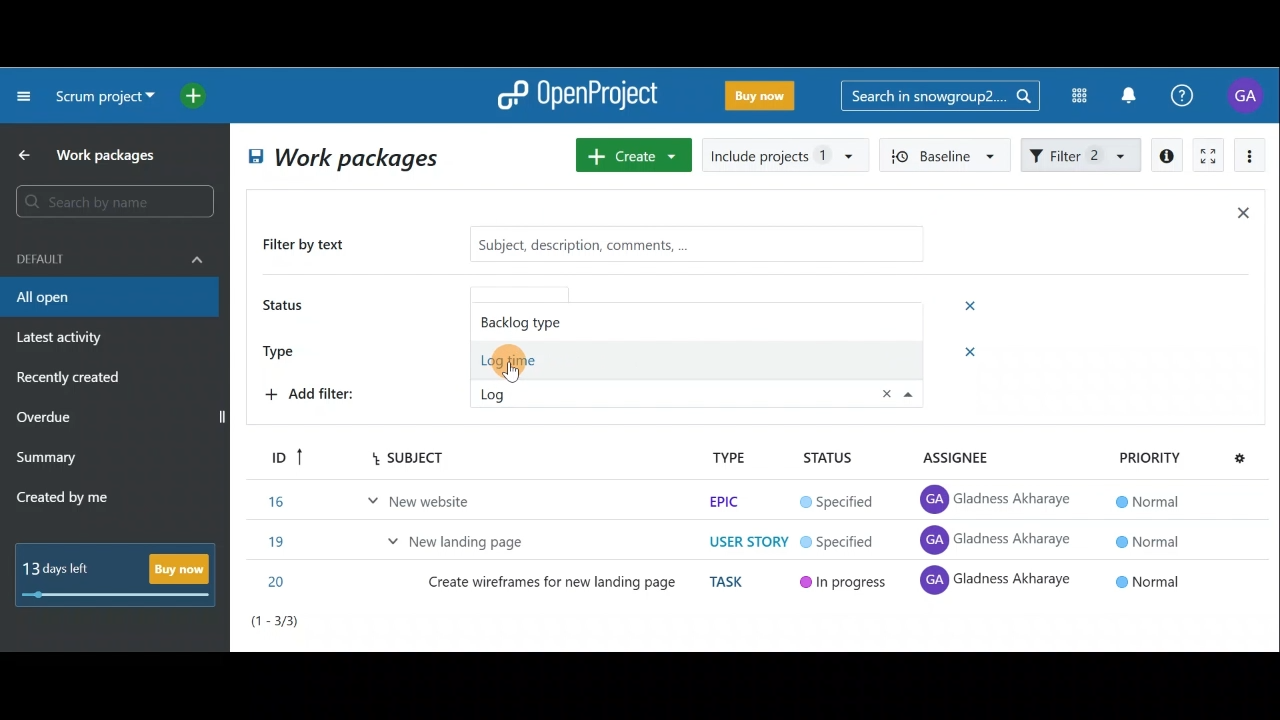 The image size is (1280, 720). What do you see at coordinates (786, 154) in the screenshot?
I see `include projects` at bounding box center [786, 154].